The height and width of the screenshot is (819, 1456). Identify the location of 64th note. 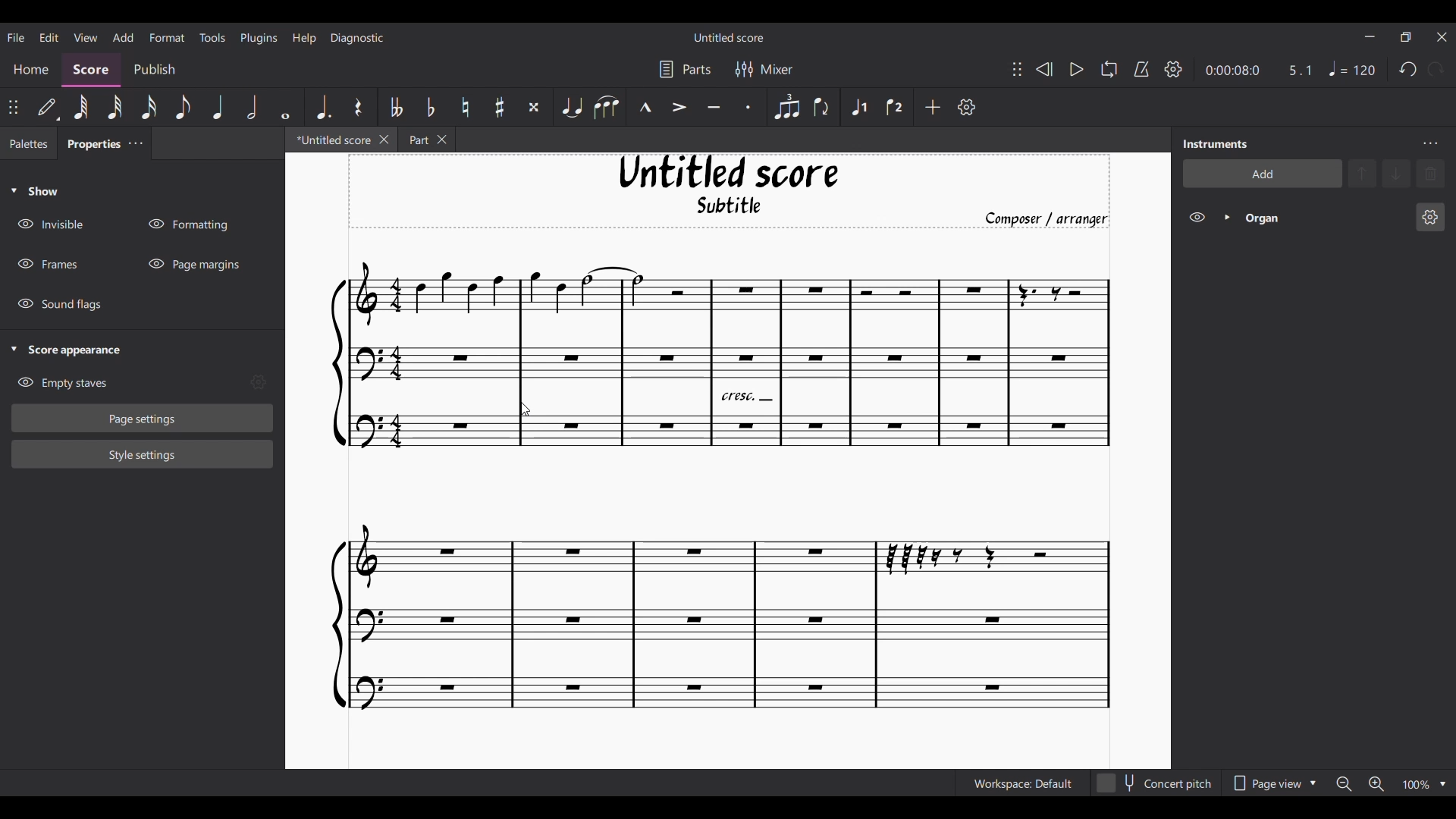
(80, 108).